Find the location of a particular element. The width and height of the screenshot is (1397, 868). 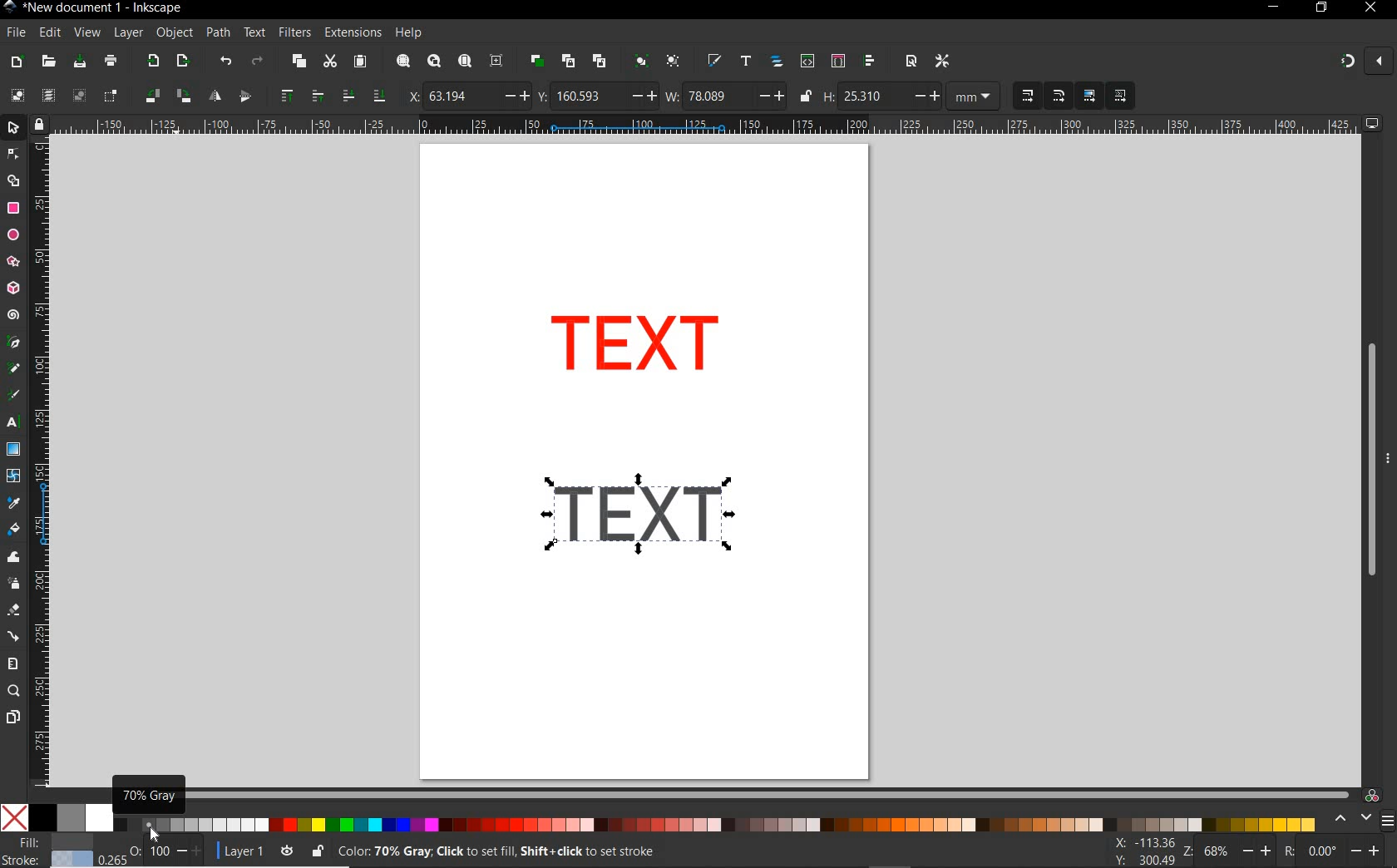

rectangle tool is located at coordinates (13, 208).